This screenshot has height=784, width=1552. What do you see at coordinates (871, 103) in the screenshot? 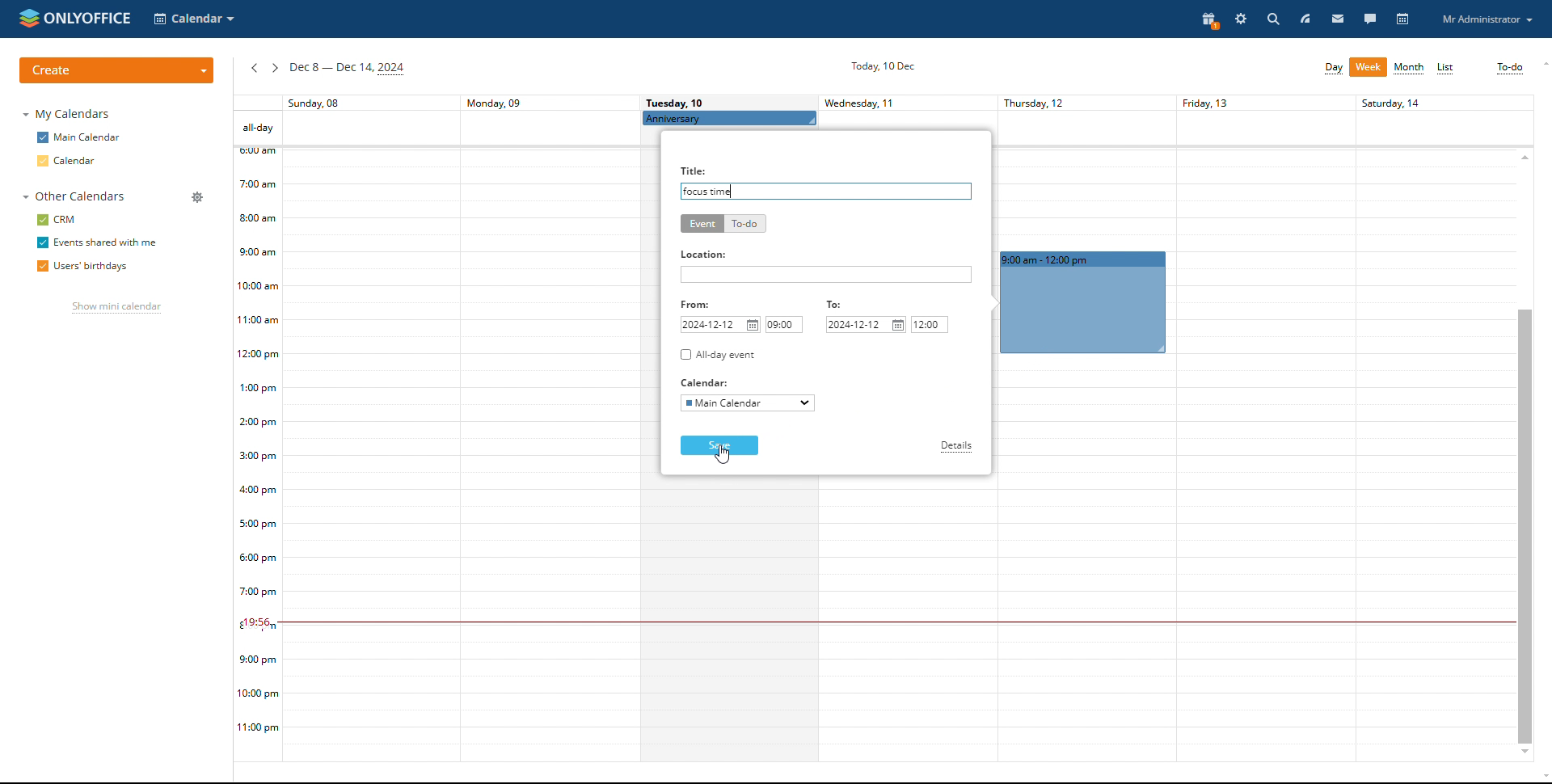
I see `Wednesday, 11` at bounding box center [871, 103].